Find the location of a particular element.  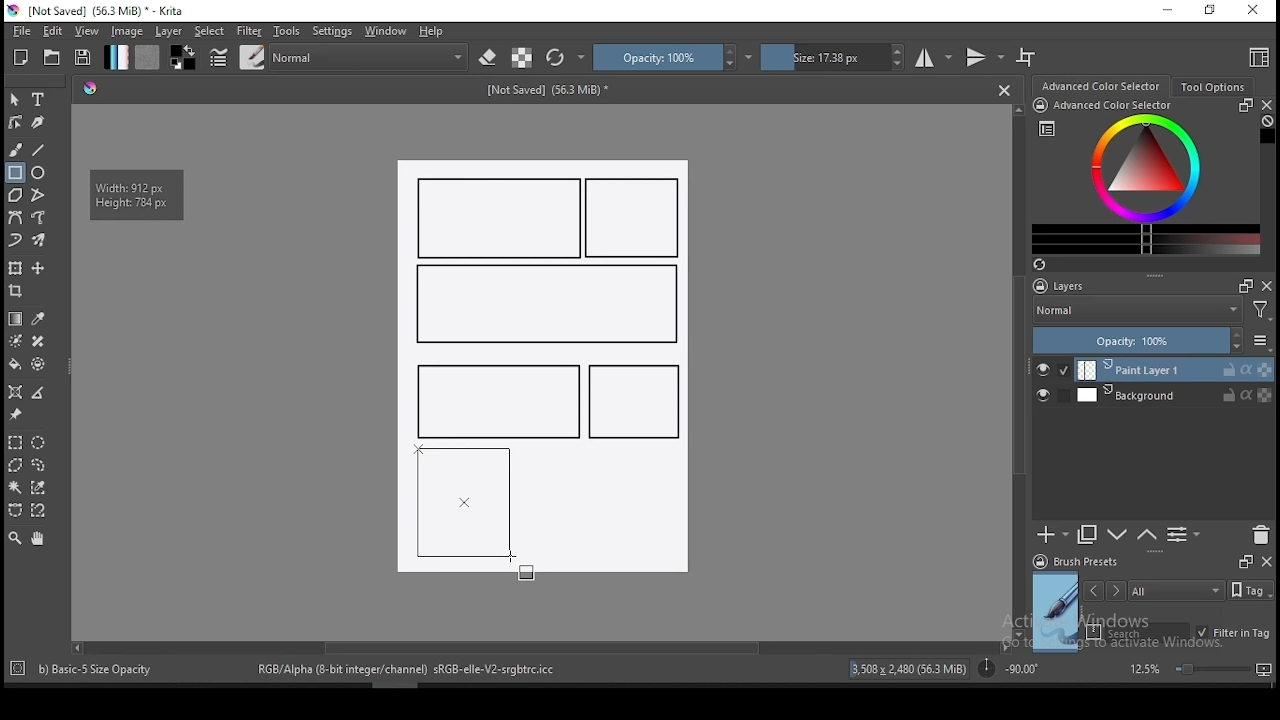

select shapes tool is located at coordinates (15, 99).